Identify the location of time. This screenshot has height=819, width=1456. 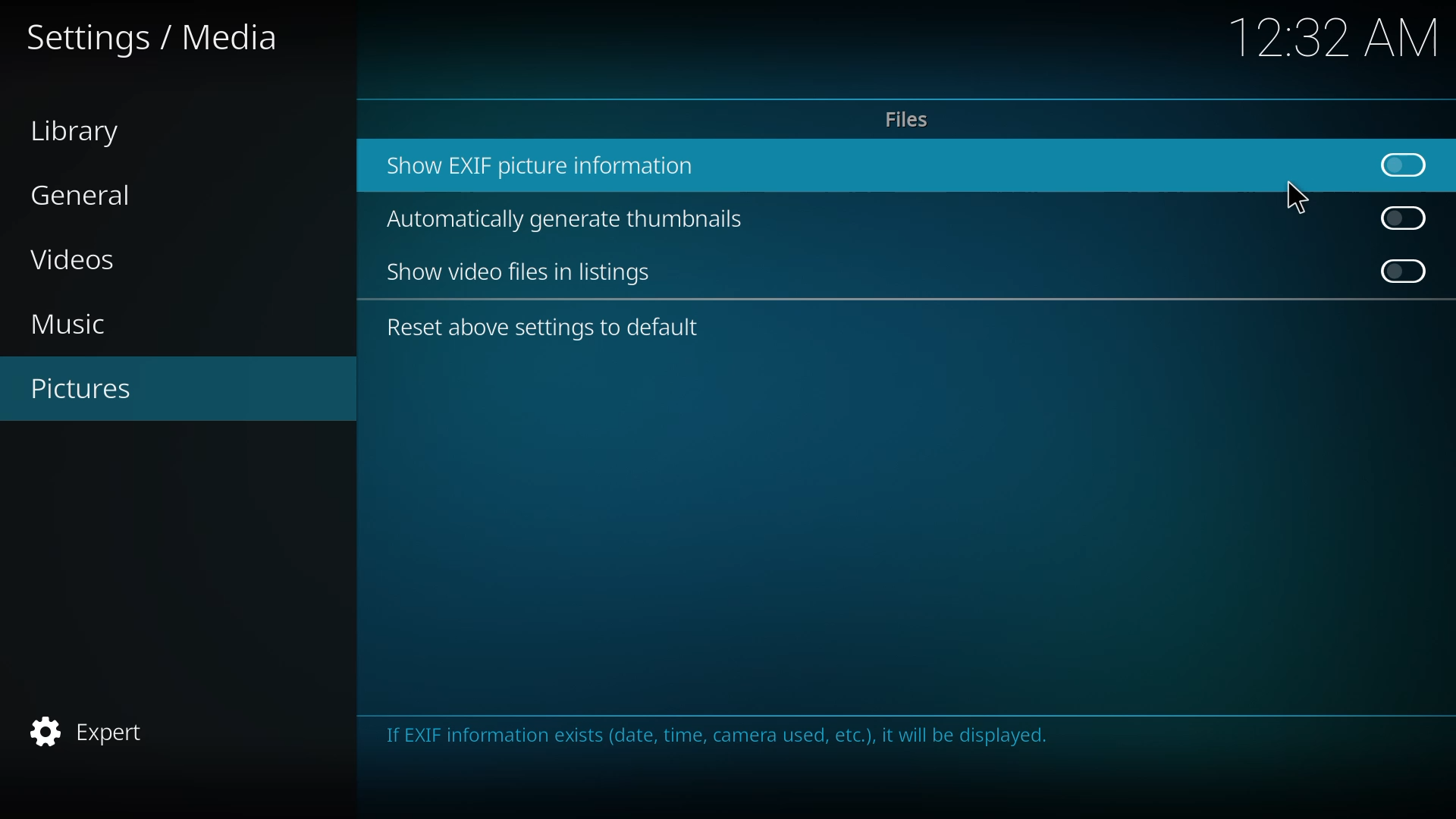
(1338, 36).